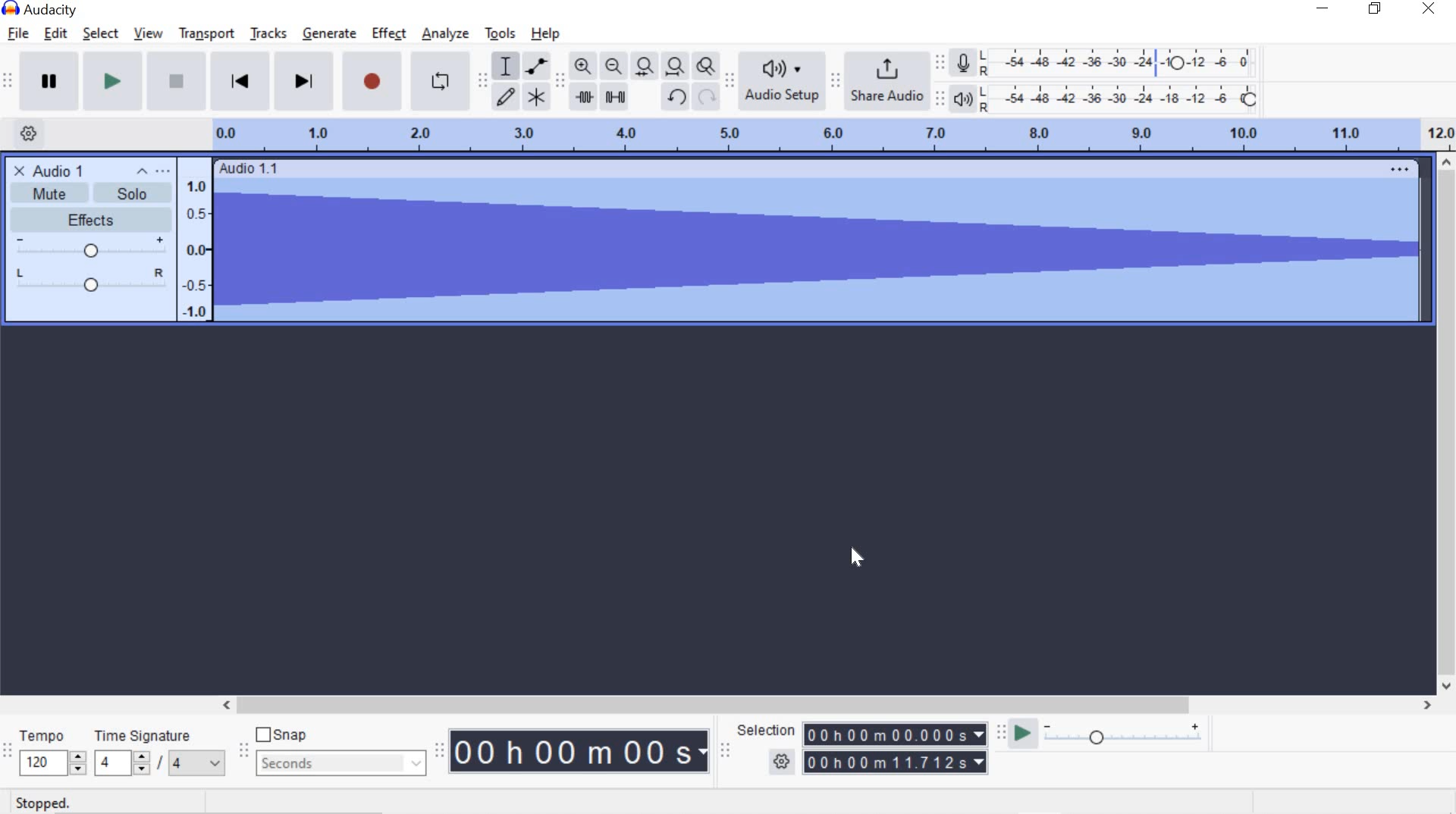 Image resolution: width=1456 pixels, height=814 pixels. I want to click on Stop, so click(177, 80).